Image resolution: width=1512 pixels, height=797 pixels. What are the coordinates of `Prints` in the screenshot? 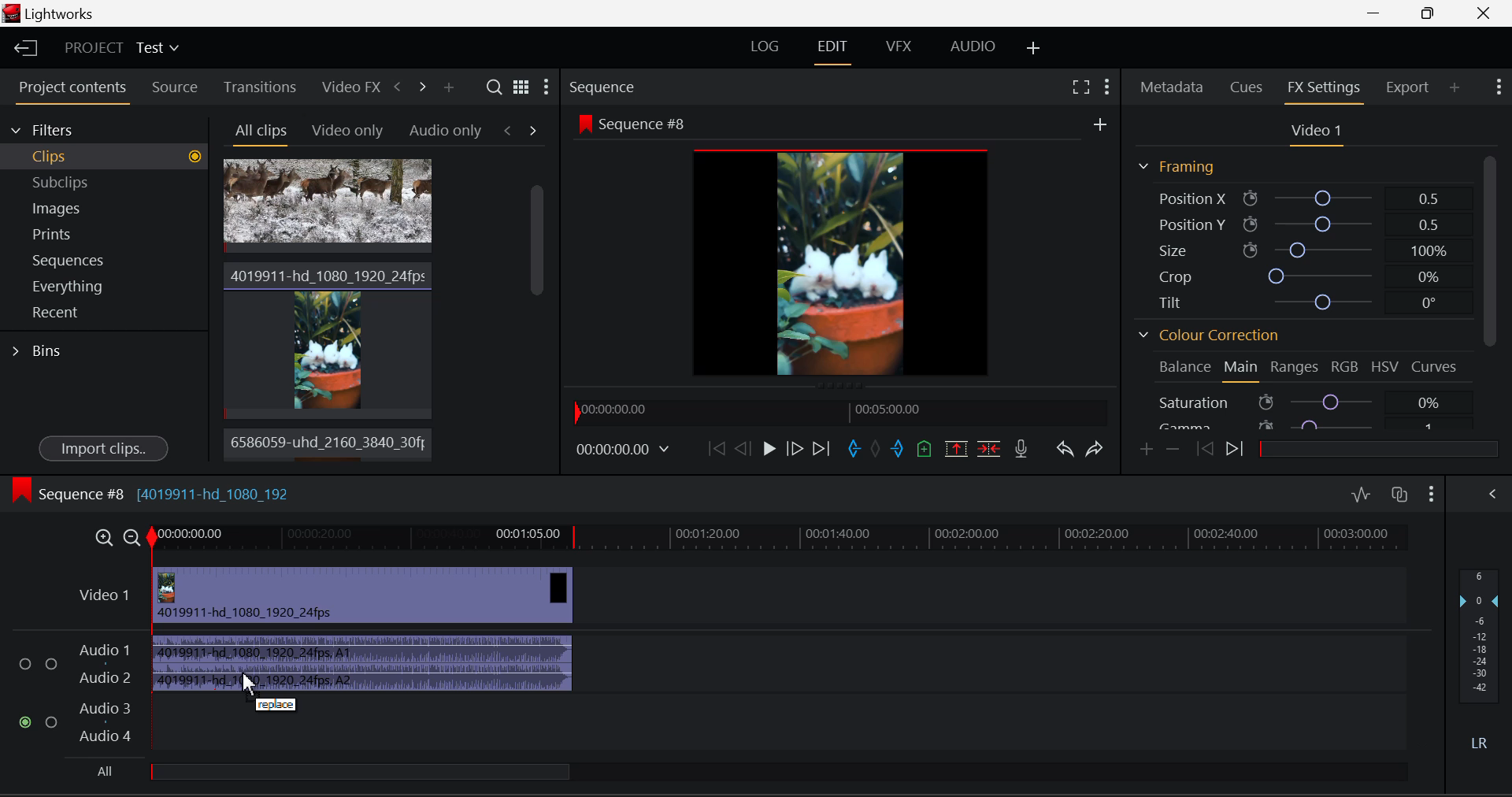 It's located at (105, 233).